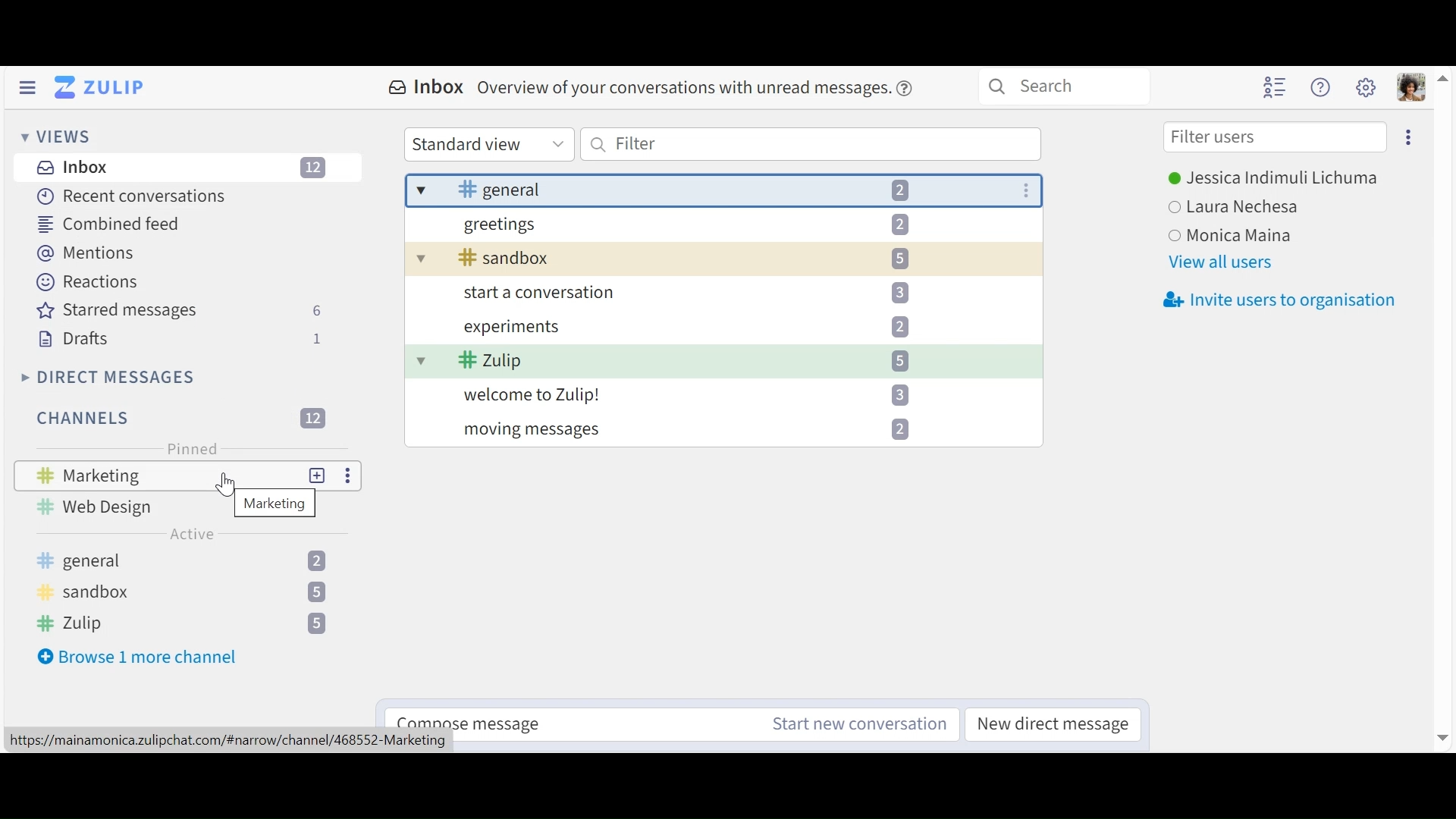 Image resolution: width=1456 pixels, height=819 pixels. What do you see at coordinates (1367, 86) in the screenshot?
I see `Main menu` at bounding box center [1367, 86].